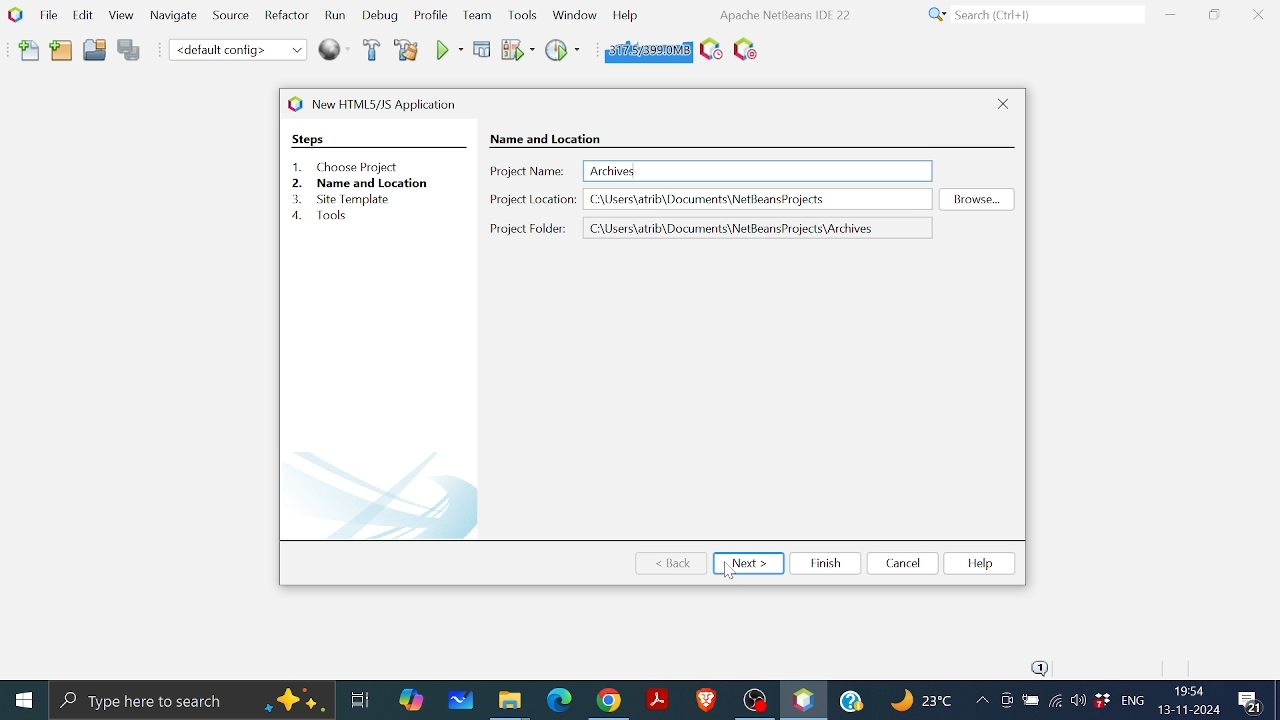  Describe the element at coordinates (339, 217) in the screenshot. I see `4. Tools` at that location.